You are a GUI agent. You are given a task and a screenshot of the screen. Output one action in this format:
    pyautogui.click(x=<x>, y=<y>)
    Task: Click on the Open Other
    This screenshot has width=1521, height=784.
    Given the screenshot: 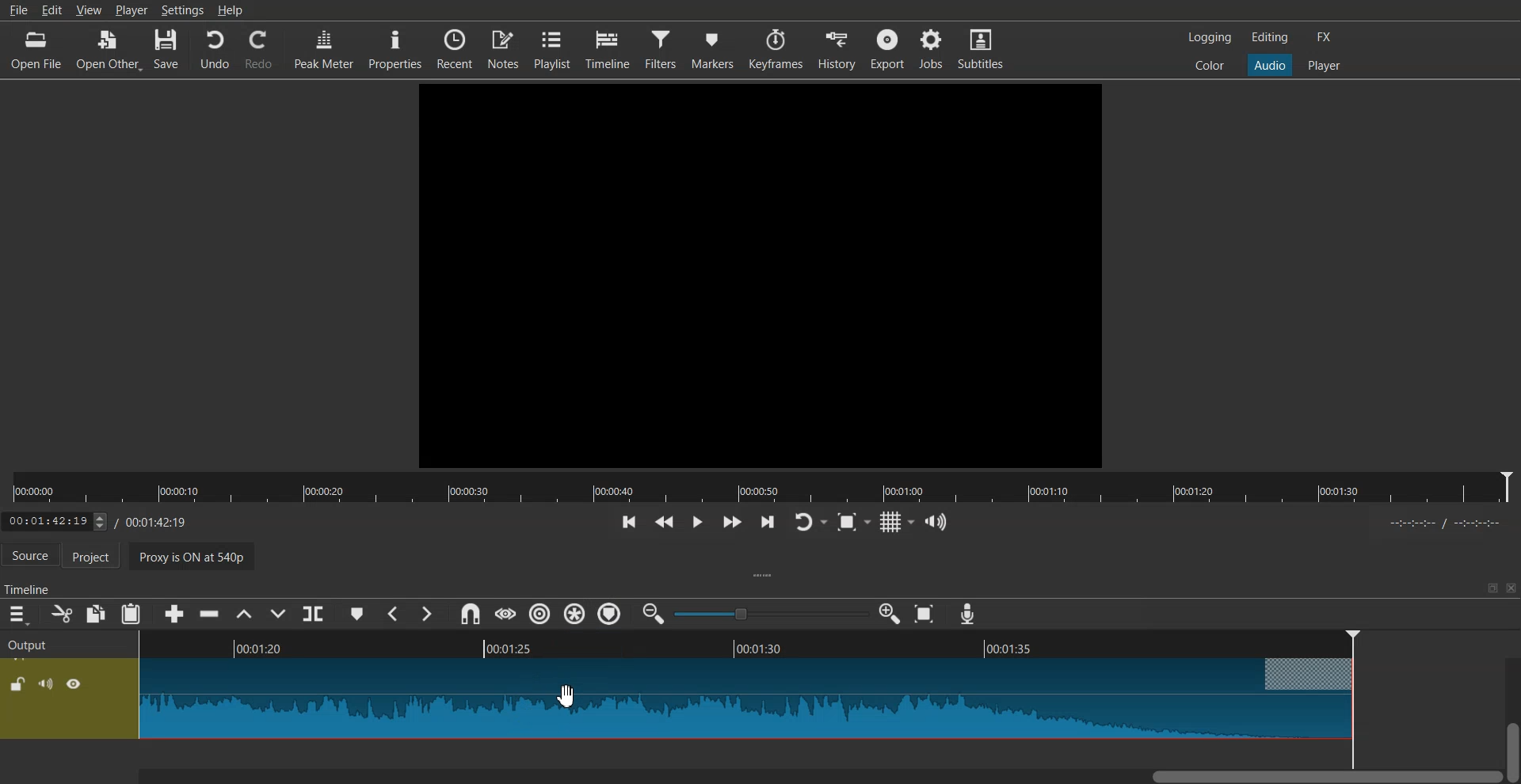 What is the action you would take?
    pyautogui.click(x=109, y=48)
    